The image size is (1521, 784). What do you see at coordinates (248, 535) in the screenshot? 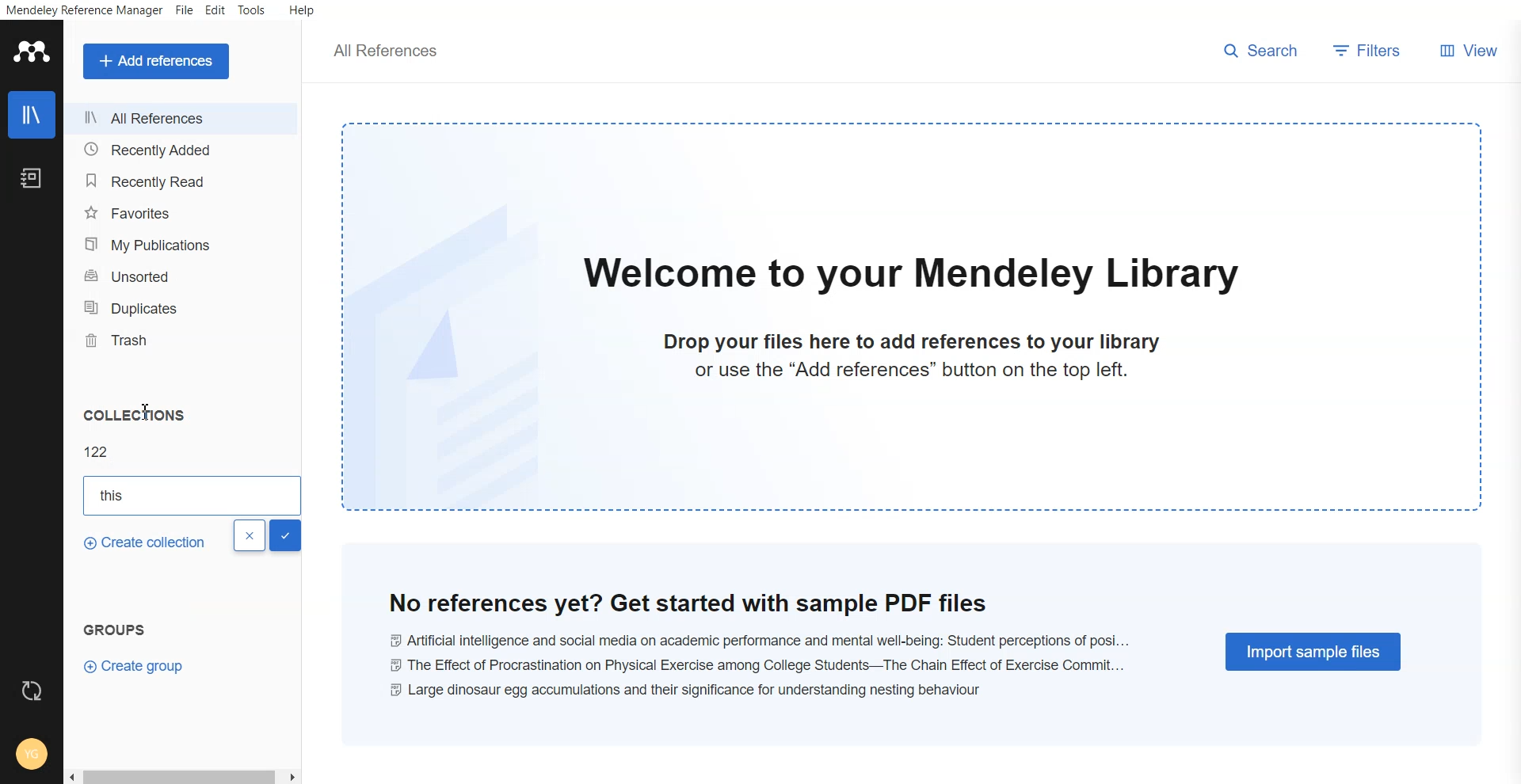
I see `Close` at bounding box center [248, 535].